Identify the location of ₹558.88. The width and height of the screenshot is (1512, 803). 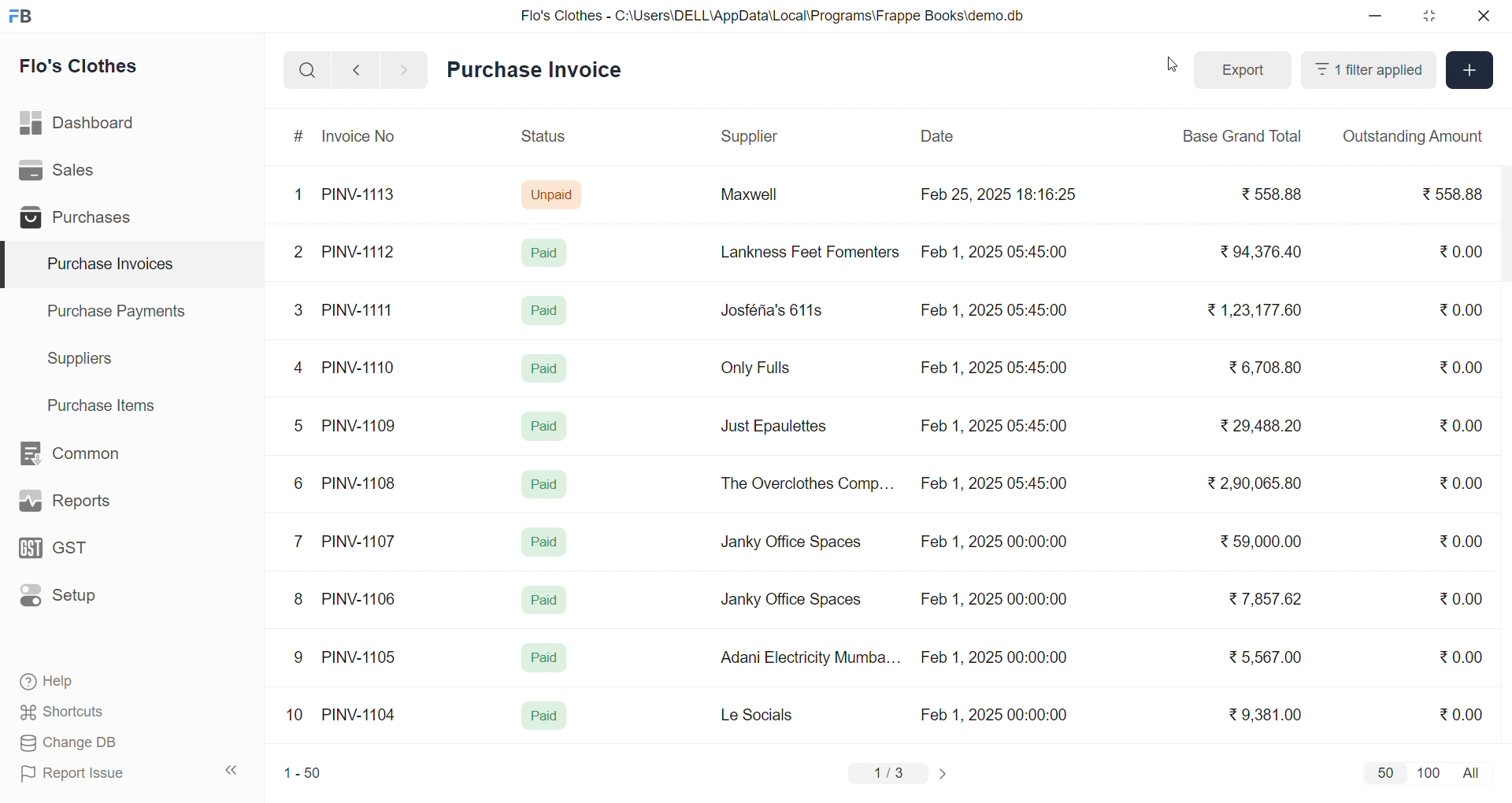
(1455, 194).